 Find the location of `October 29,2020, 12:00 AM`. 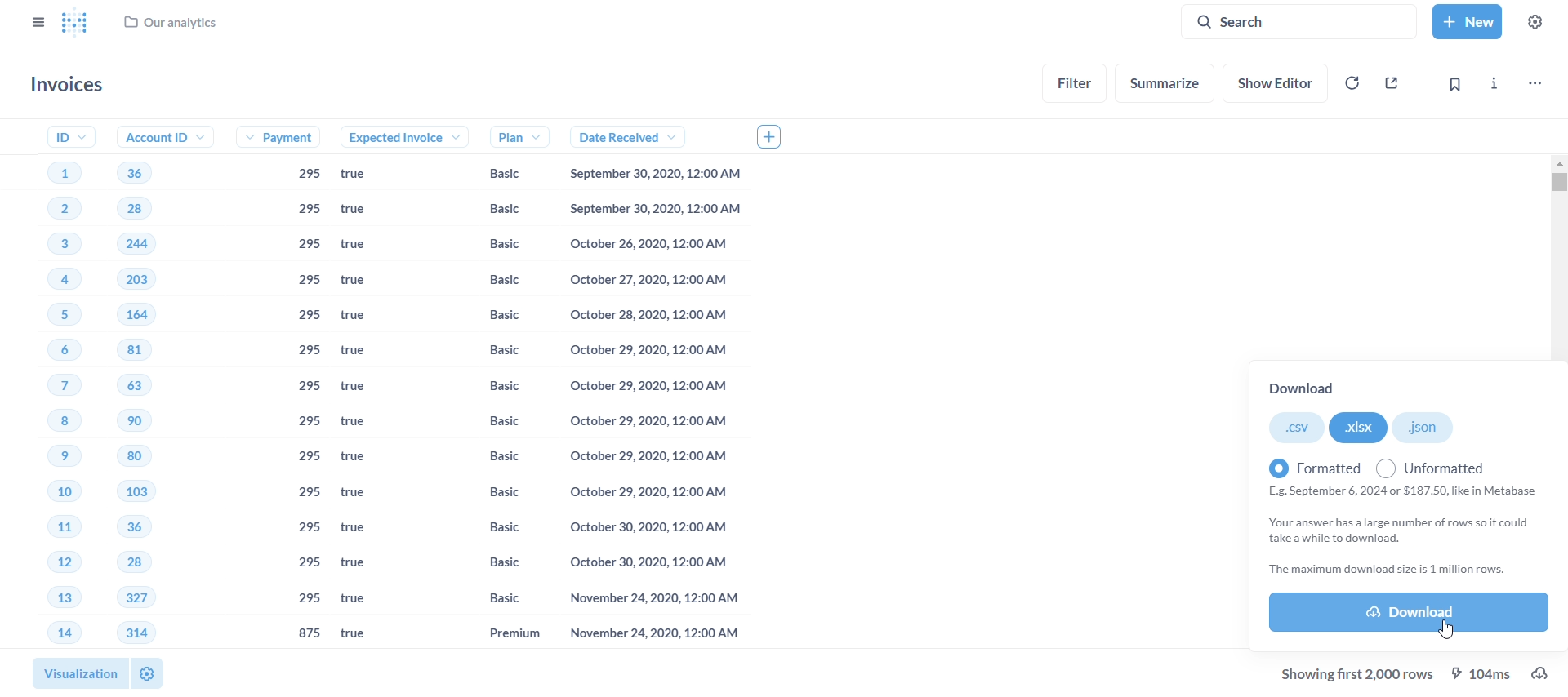

October 29,2020, 12:00 AM is located at coordinates (644, 491).